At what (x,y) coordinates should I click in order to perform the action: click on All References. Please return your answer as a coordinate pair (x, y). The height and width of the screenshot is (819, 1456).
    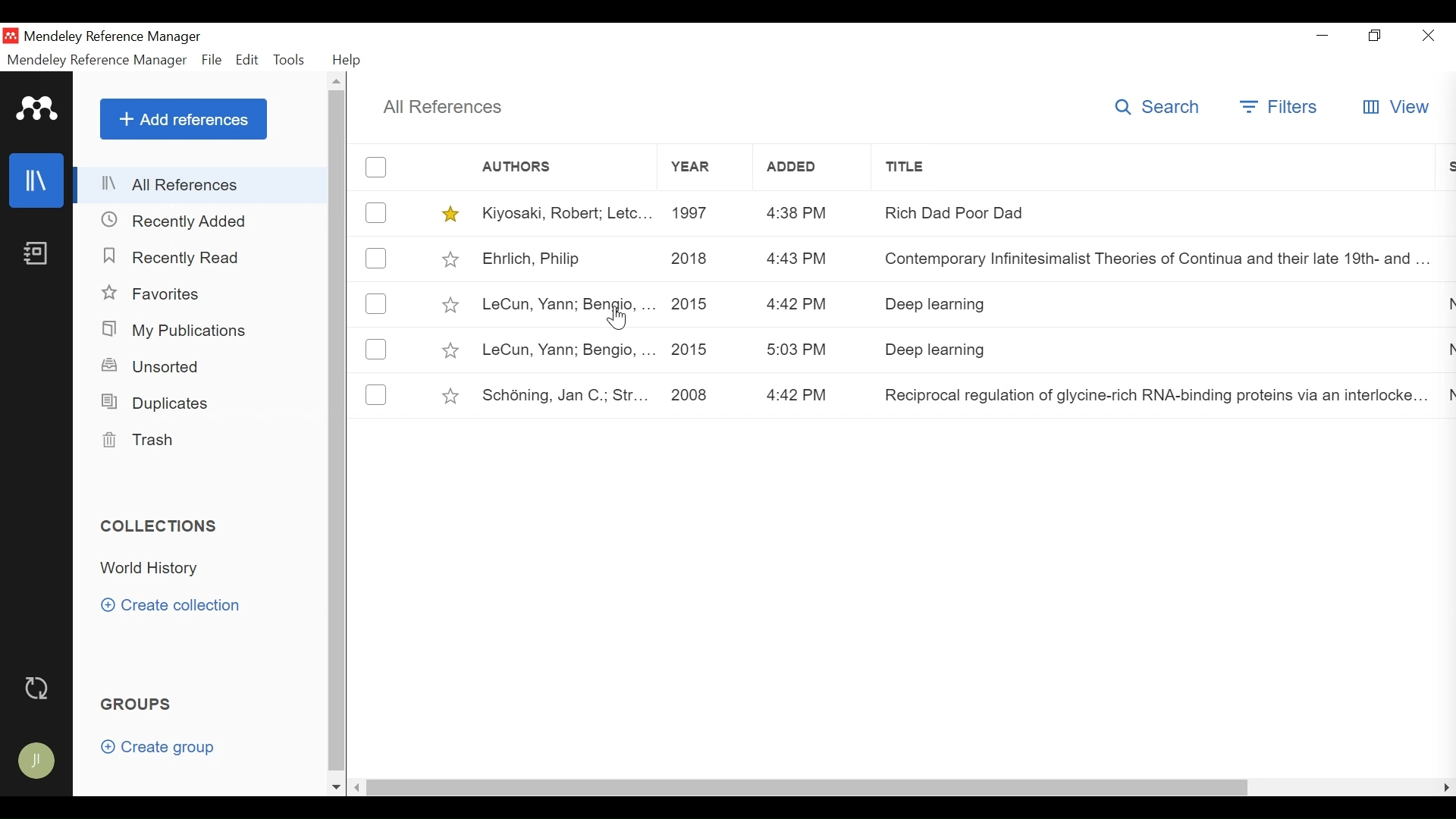
    Looking at the image, I should click on (202, 184).